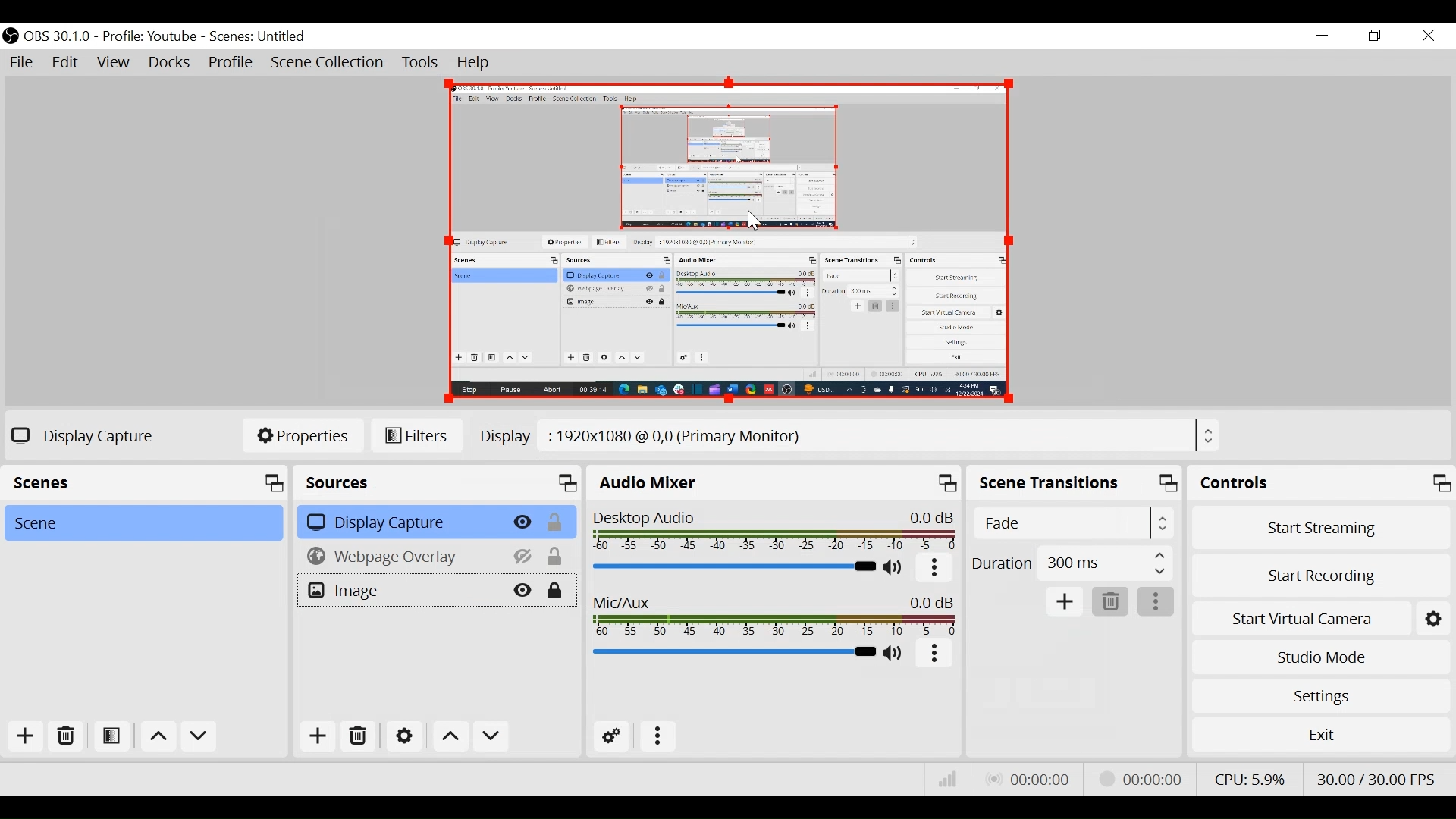 The height and width of the screenshot is (819, 1456). I want to click on Move Up, so click(452, 737).